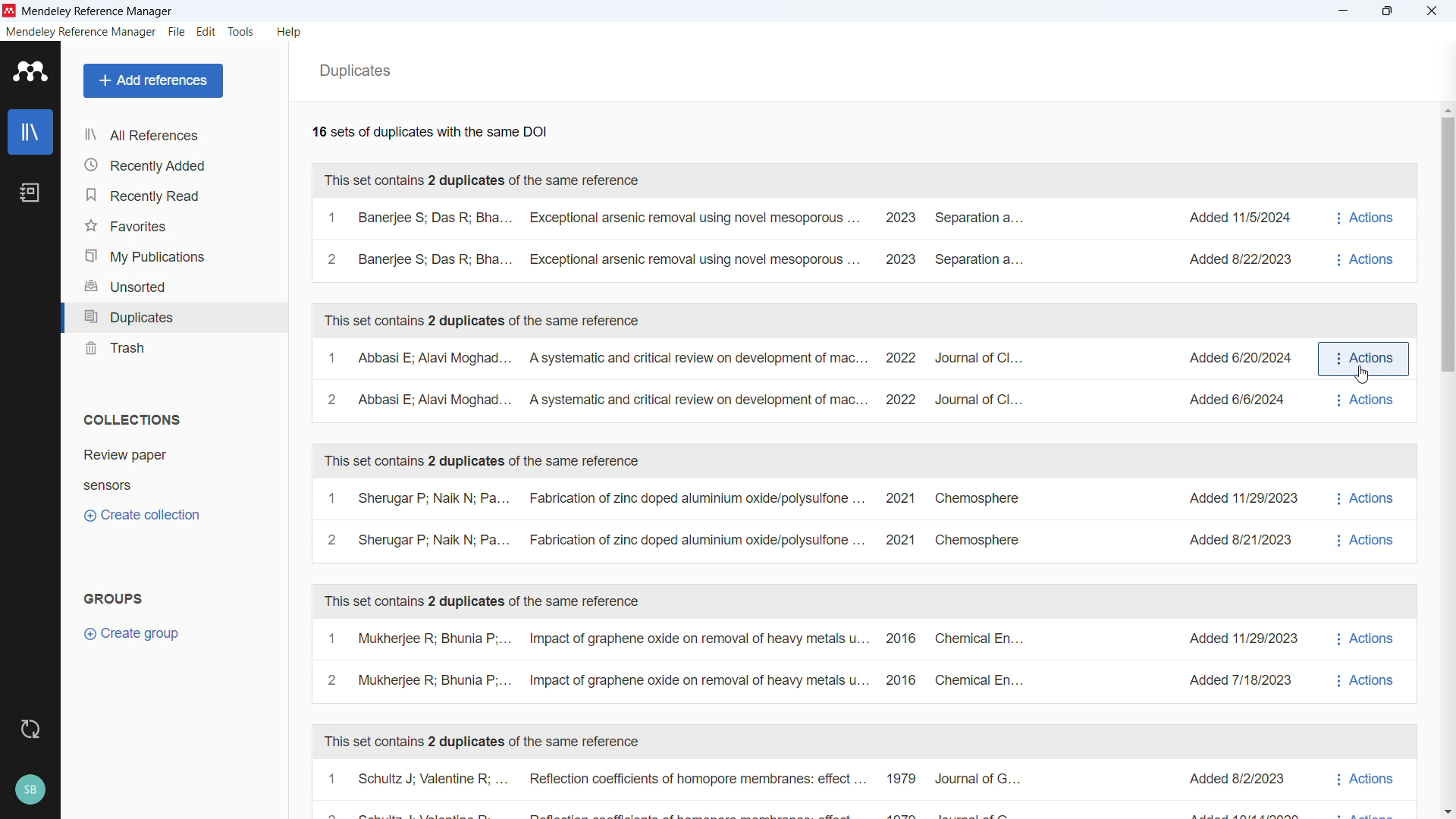 This screenshot has width=1456, height=819. What do you see at coordinates (172, 284) in the screenshot?
I see `Unsorted ` at bounding box center [172, 284].